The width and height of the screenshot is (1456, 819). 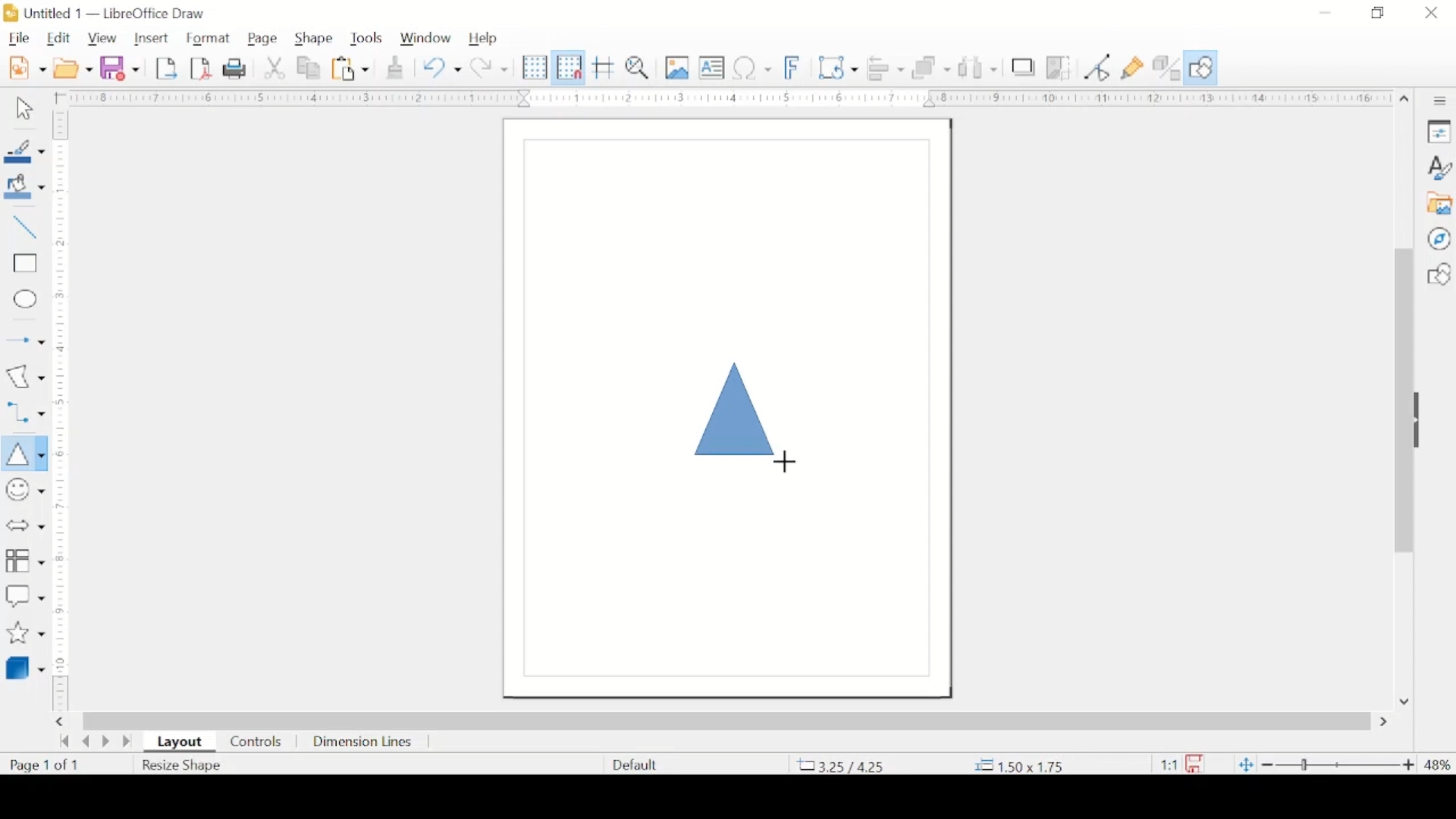 What do you see at coordinates (265, 37) in the screenshot?
I see `page` at bounding box center [265, 37].